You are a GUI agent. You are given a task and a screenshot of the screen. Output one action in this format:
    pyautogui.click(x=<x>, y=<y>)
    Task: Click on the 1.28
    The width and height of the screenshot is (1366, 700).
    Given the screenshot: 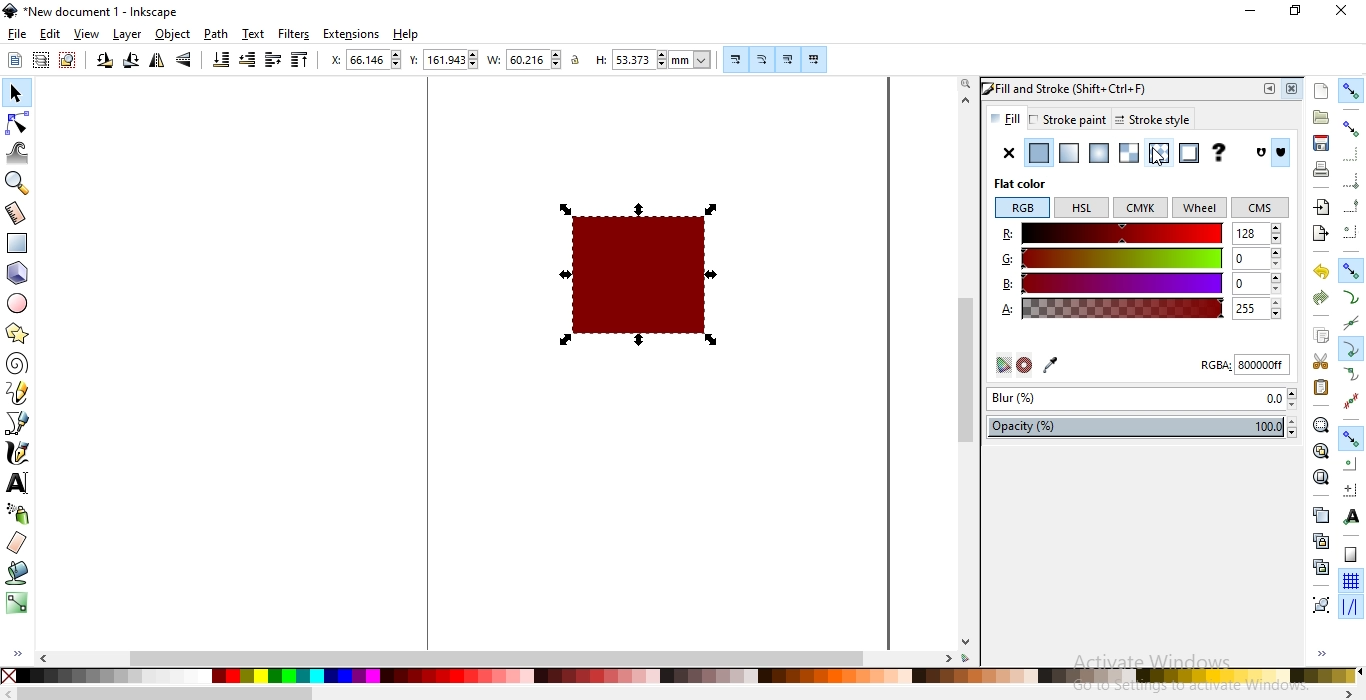 What is the action you would take?
    pyautogui.click(x=1256, y=232)
    